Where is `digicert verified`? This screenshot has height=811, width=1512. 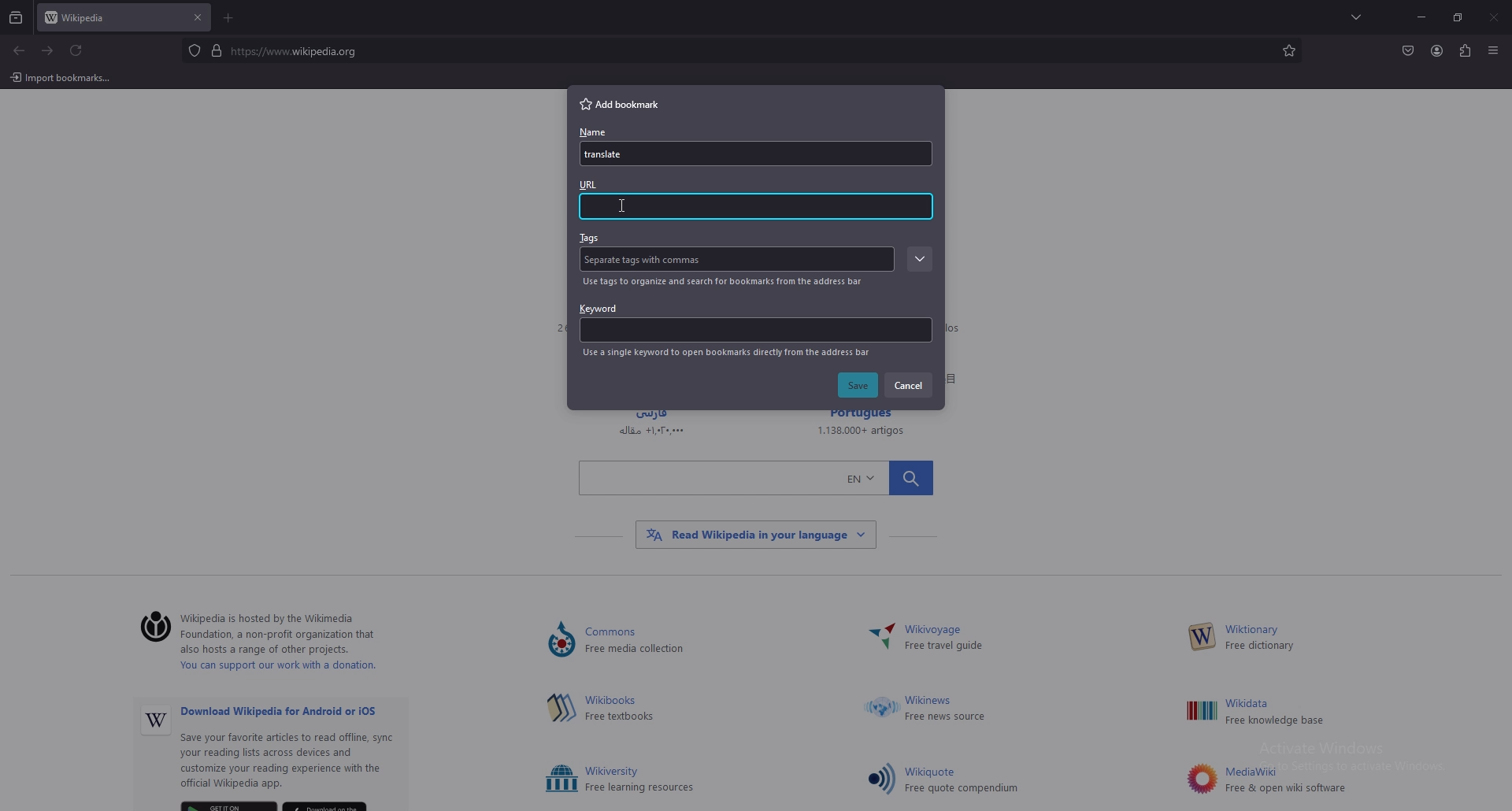 digicert verified is located at coordinates (218, 50).